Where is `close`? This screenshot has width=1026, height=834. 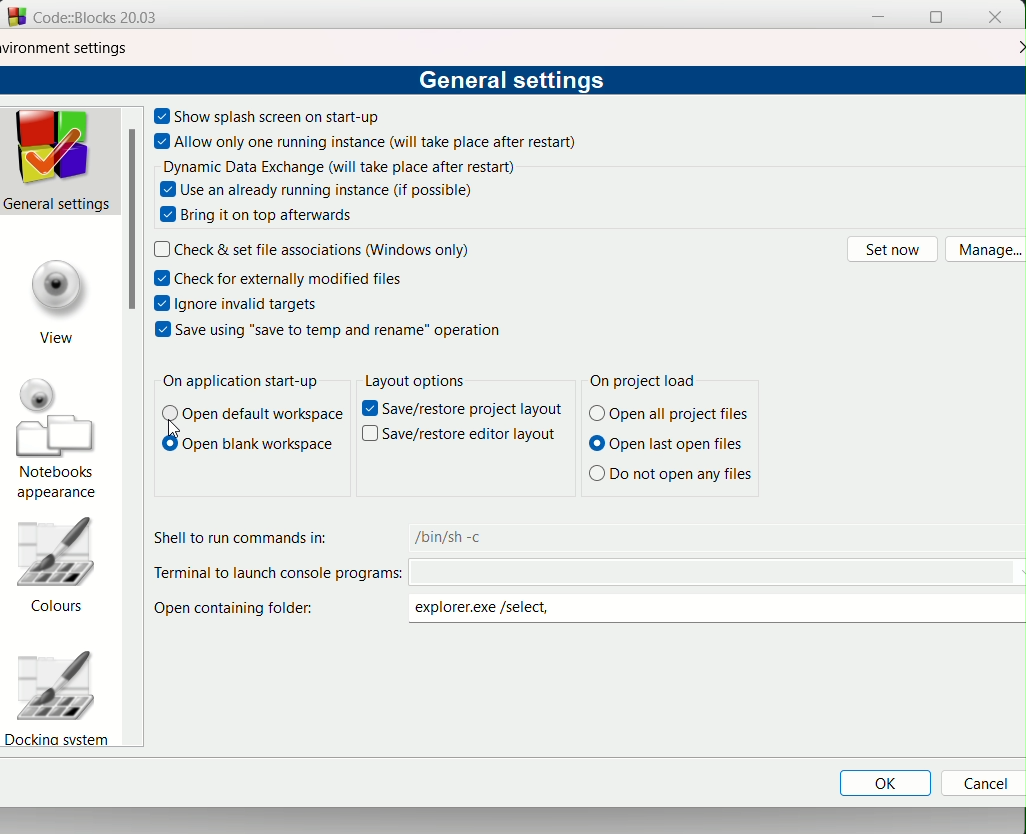
close is located at coordinates (996, 17).